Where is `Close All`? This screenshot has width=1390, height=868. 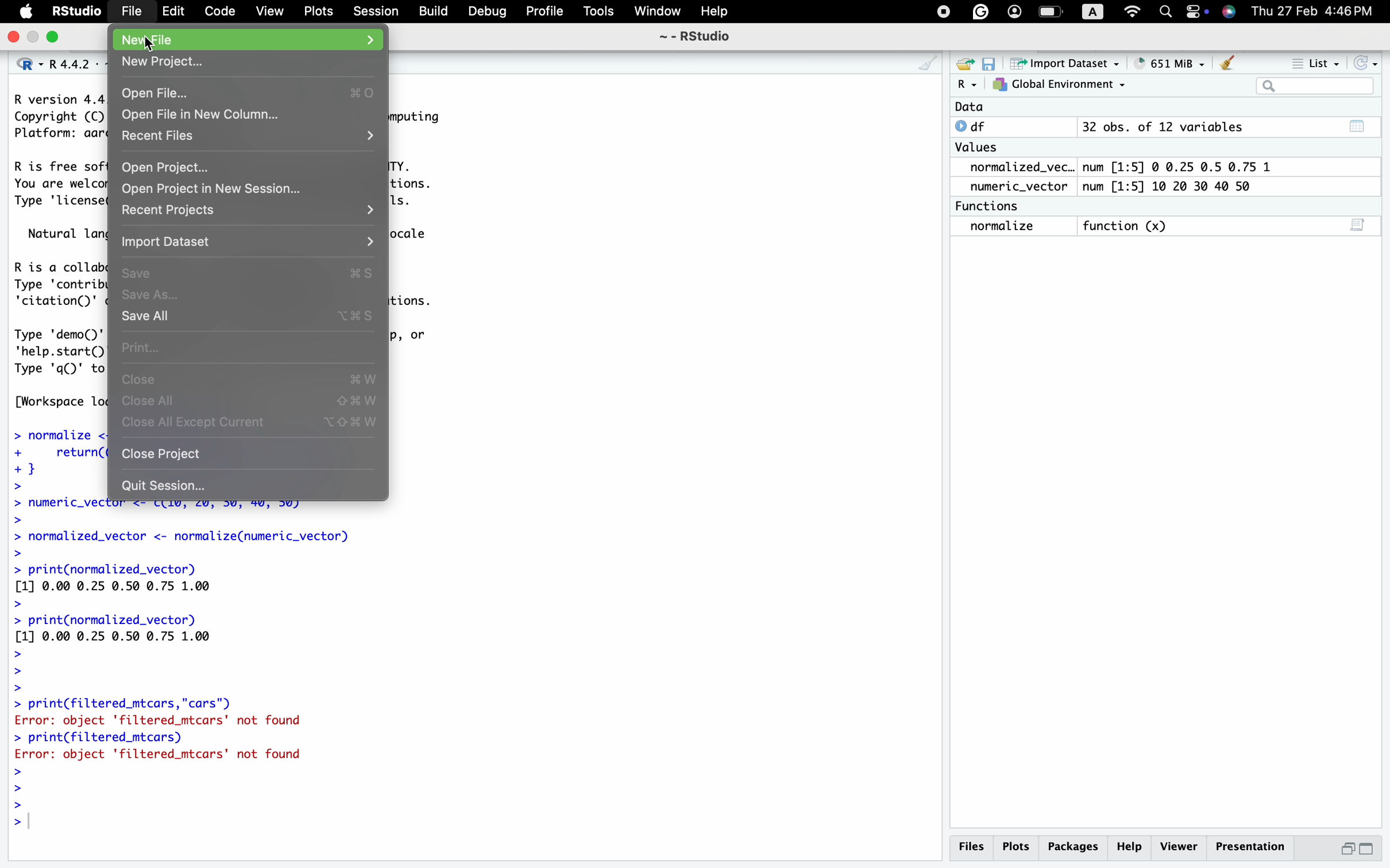
Close All is located at coordinates (248, 403).